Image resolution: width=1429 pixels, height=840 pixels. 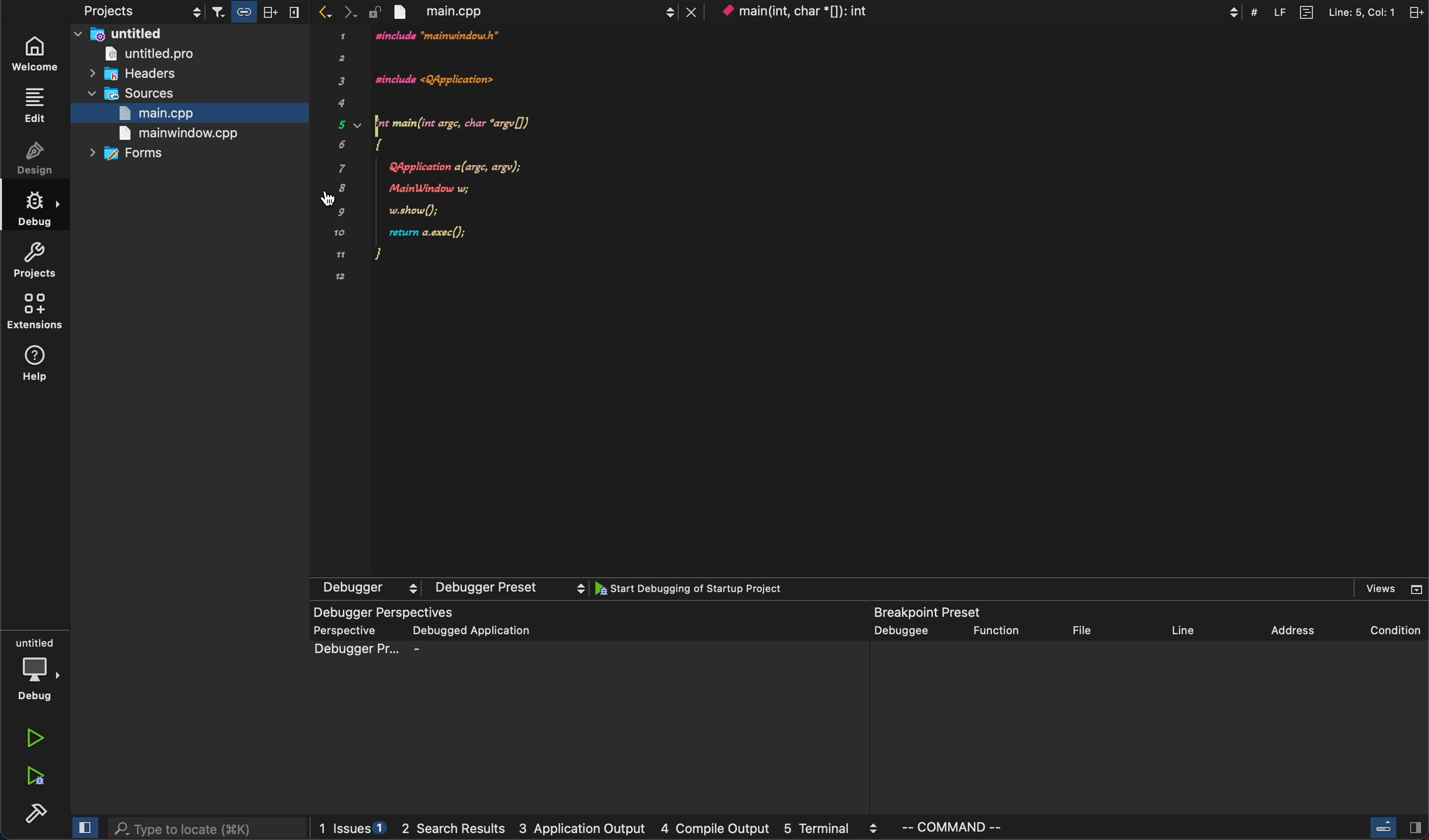 What do you see at coordinates (152, 95) in the screenshot?
I see `sources` at bounding box center [152, 95].